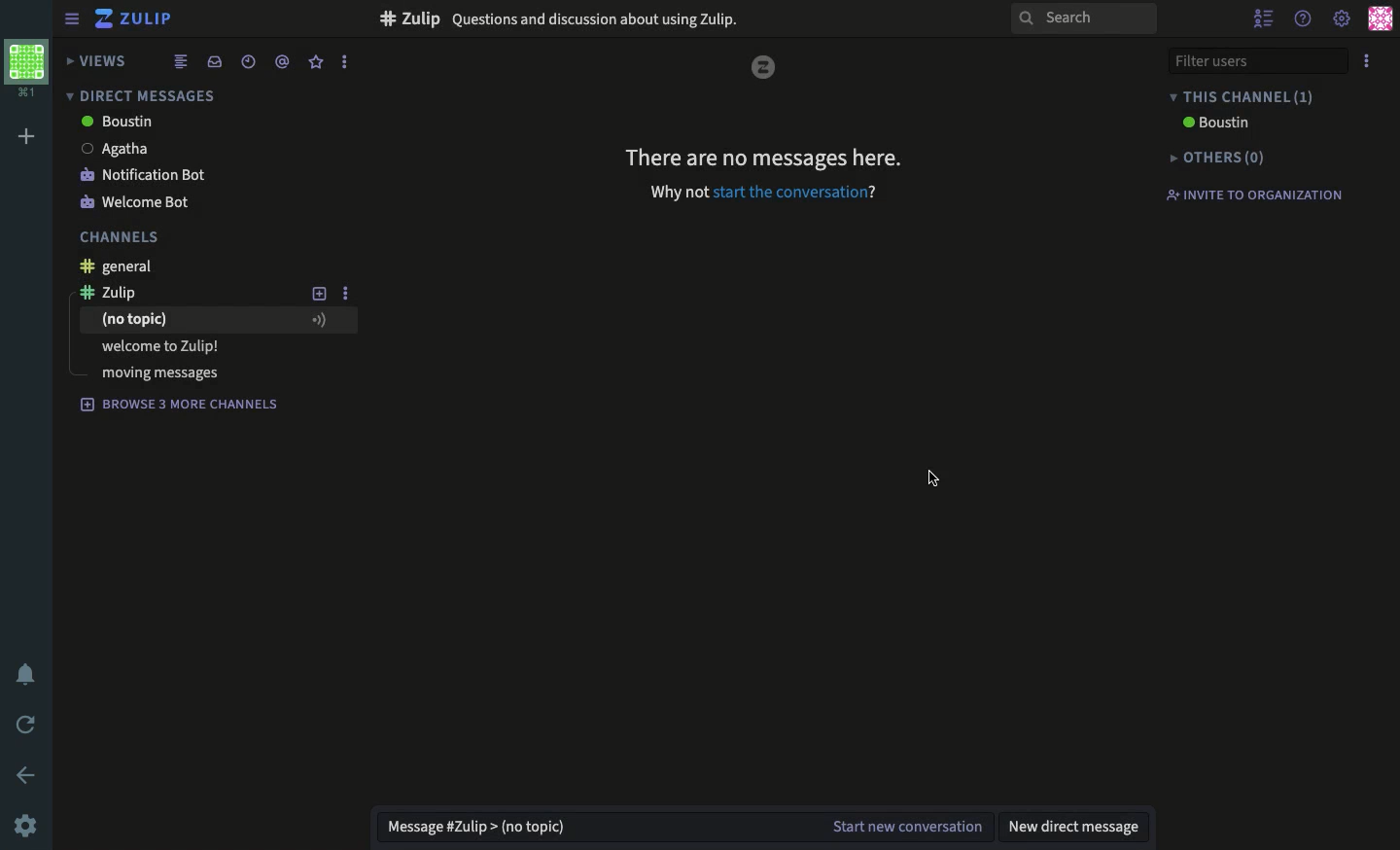 This screenshot has width=1400, height=850. Describe the element at coordinates (164, 345) in the screenshot. I see `welcome to zulip` at that location.